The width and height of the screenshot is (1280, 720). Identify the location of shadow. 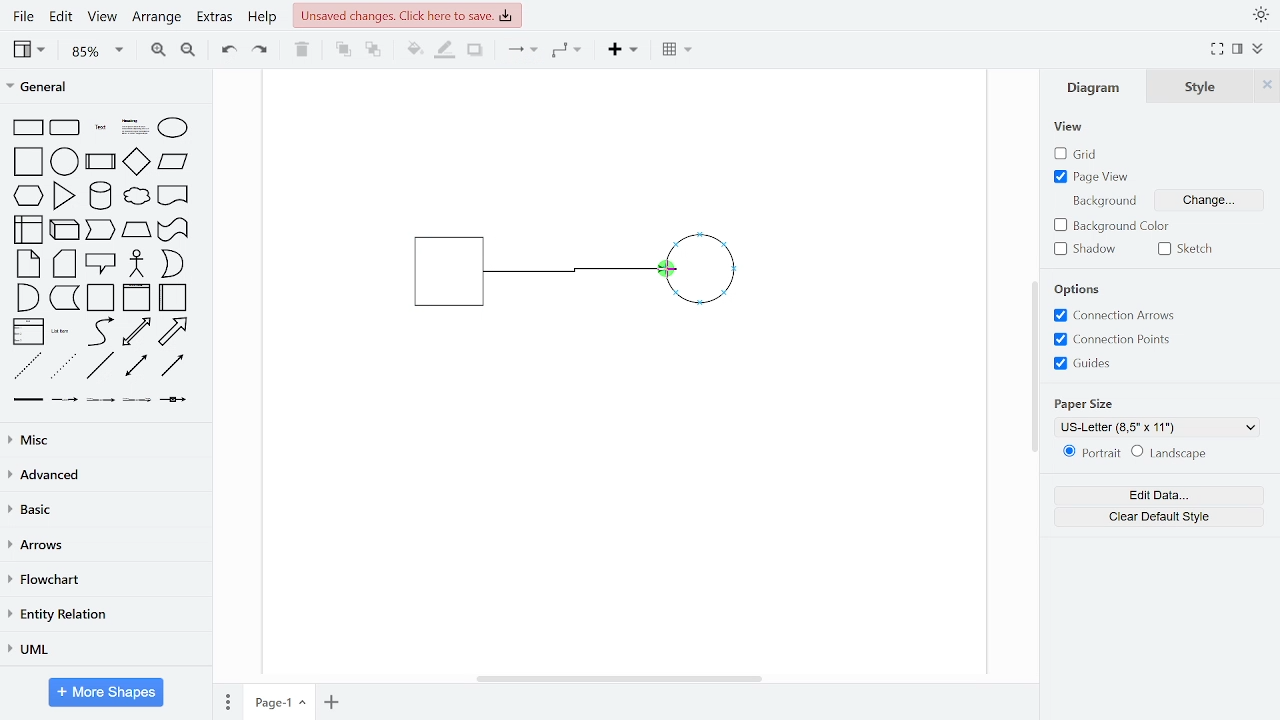
(1090, 249).